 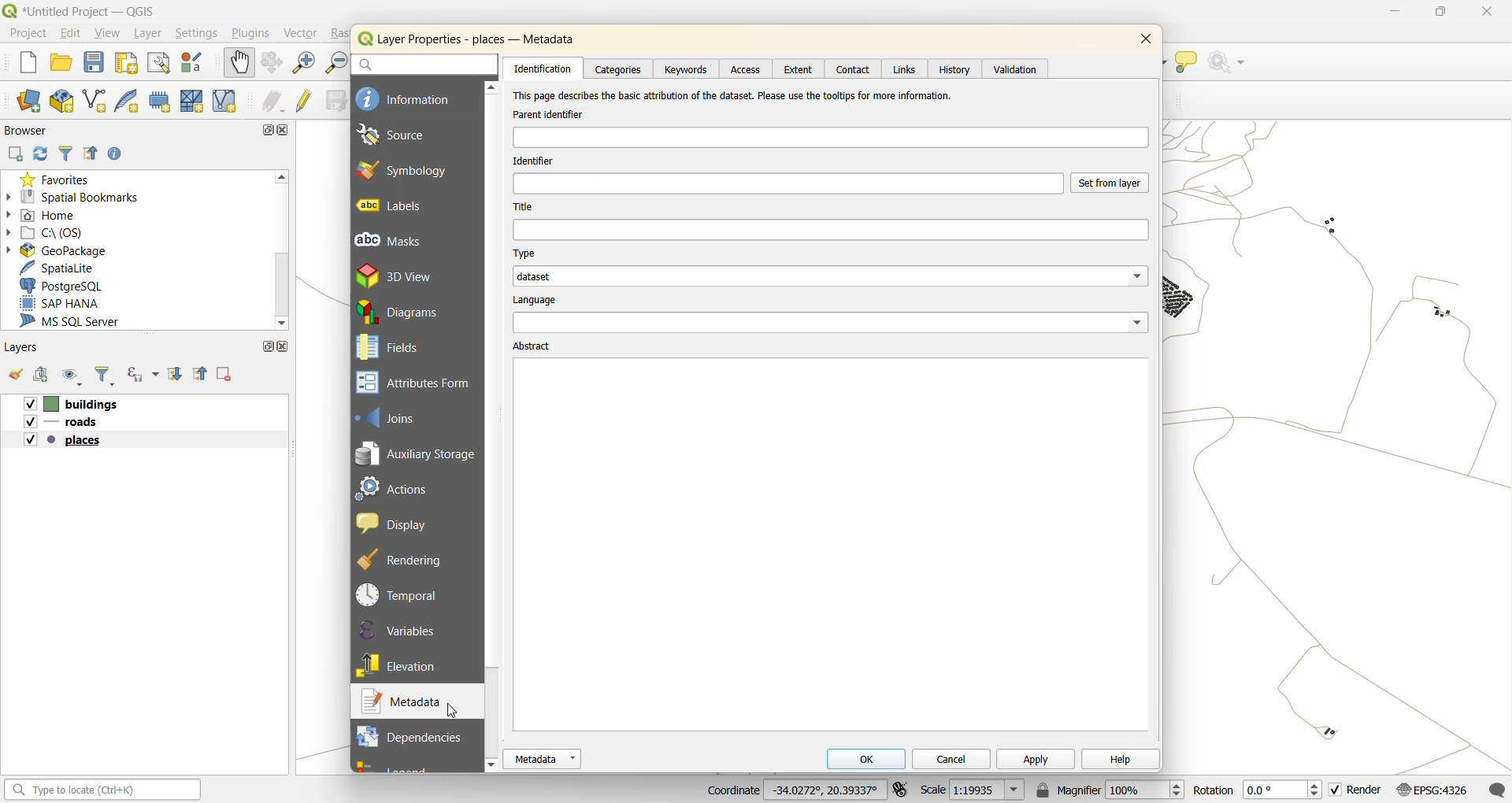 What do you see at coordinates (265, 346) in the screenshot?
I see `maximize` at bounding box center [265, 346].